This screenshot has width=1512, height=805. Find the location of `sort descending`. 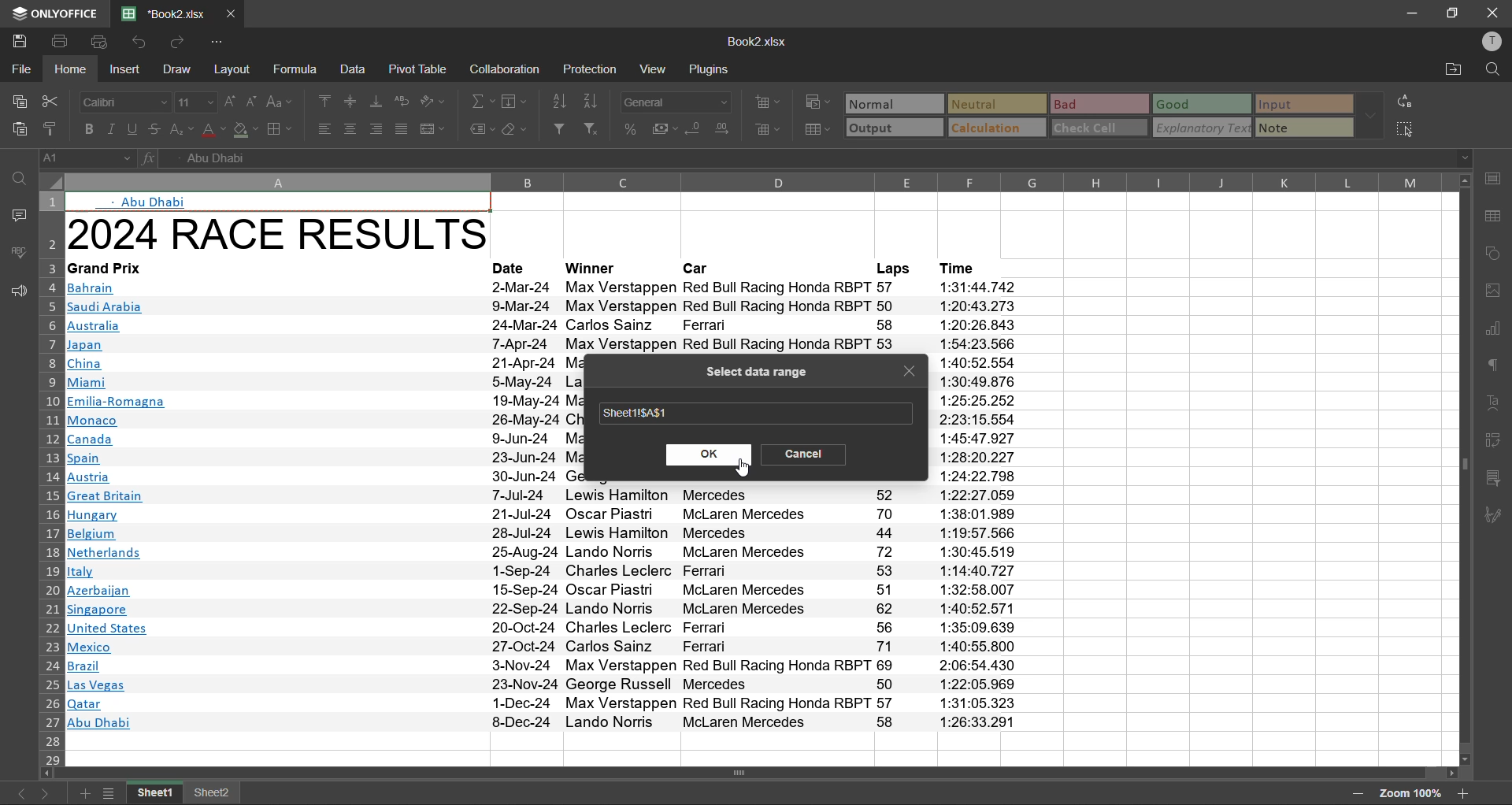

sort descending is located at coordinates (591, 103).